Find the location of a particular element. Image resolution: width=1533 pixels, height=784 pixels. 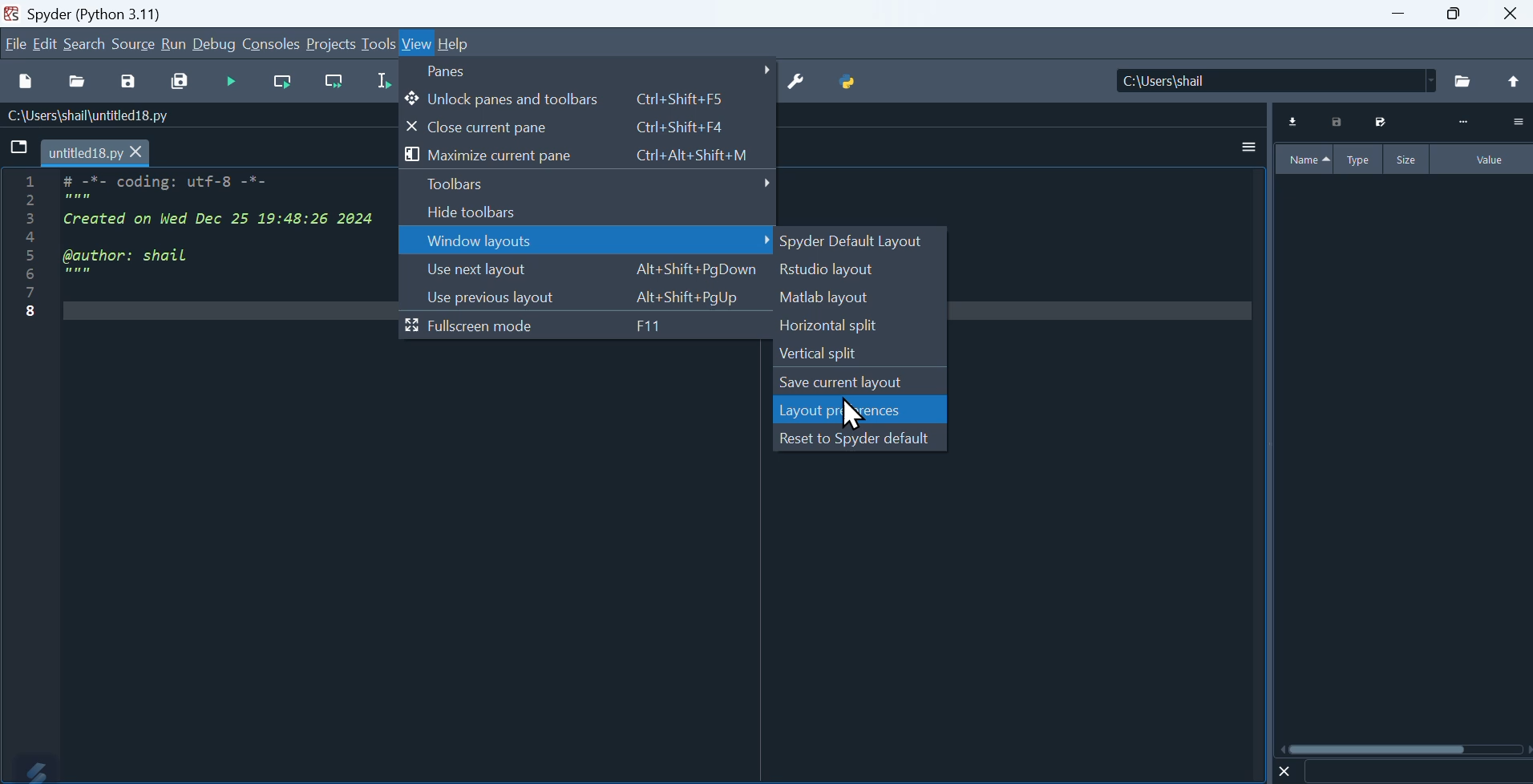

R studio layout is located at coordinates (861, 270).